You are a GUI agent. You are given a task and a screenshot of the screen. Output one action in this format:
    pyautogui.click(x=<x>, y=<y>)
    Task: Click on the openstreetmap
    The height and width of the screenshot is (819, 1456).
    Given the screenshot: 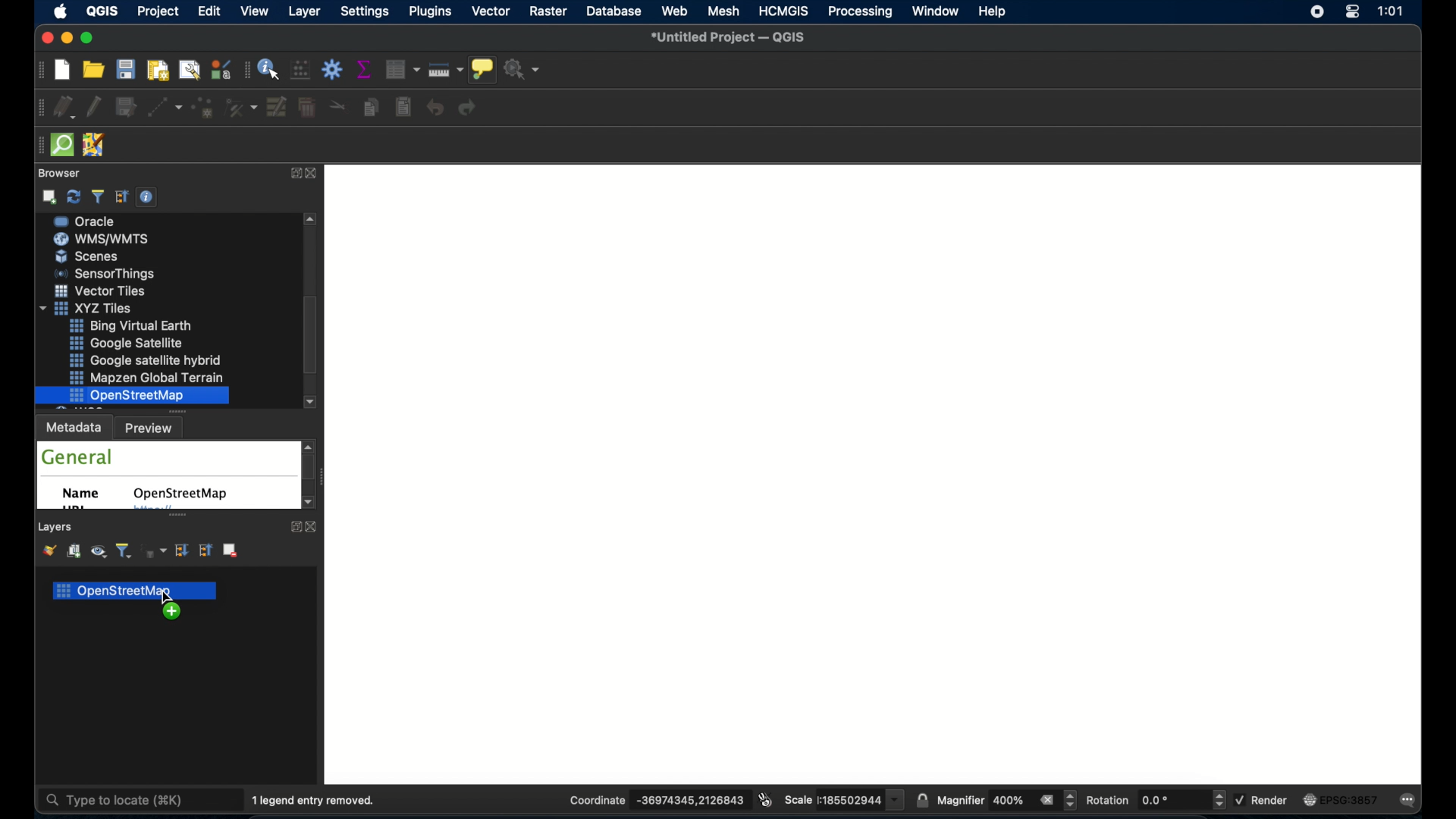 What is the action you would take?
    pyautogui.click(x=180, y=494)
    